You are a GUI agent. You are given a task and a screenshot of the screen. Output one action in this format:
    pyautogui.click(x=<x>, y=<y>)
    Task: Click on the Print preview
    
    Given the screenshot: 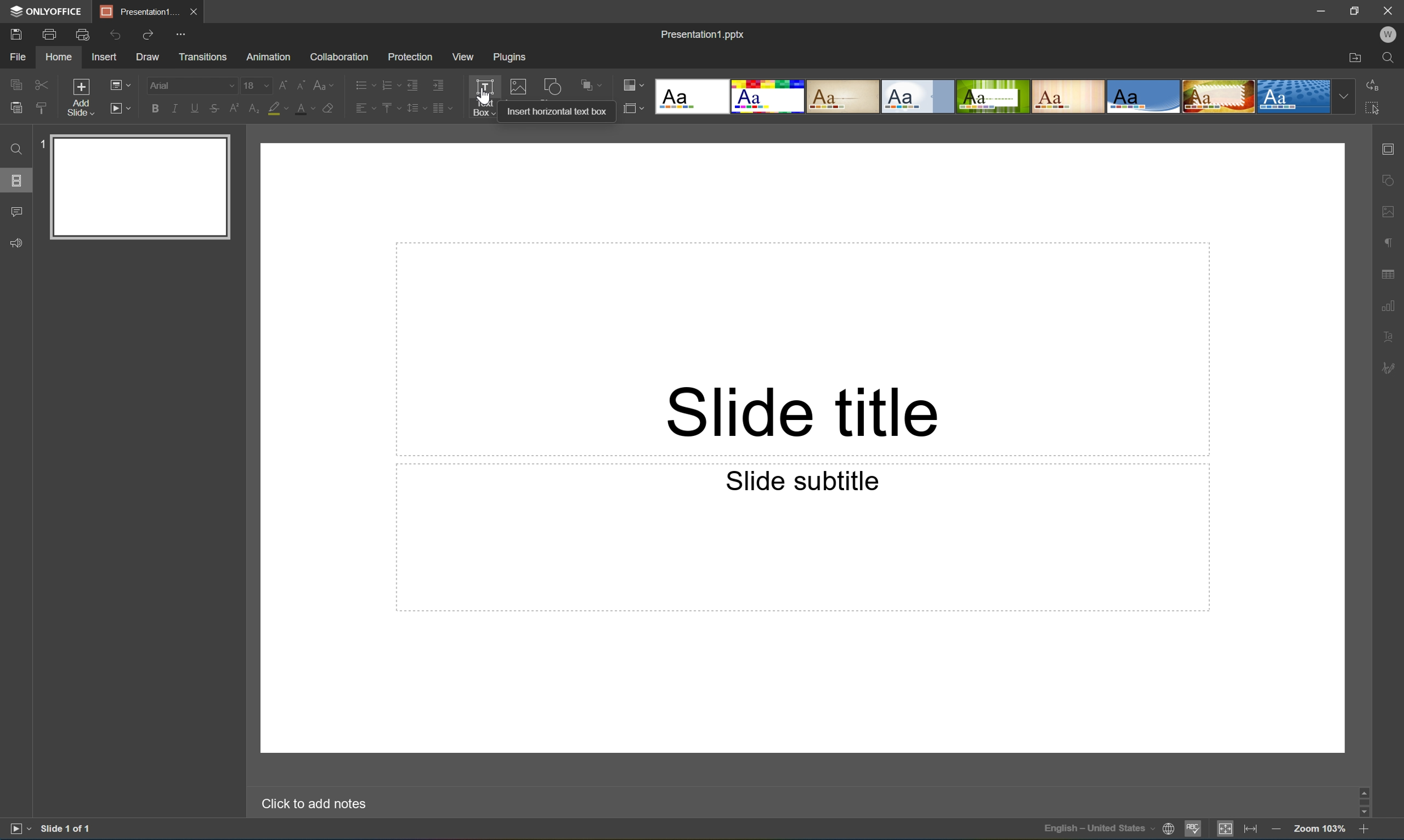 What is the action you would take?
    pyautogui.click(x=83, y=35)
    